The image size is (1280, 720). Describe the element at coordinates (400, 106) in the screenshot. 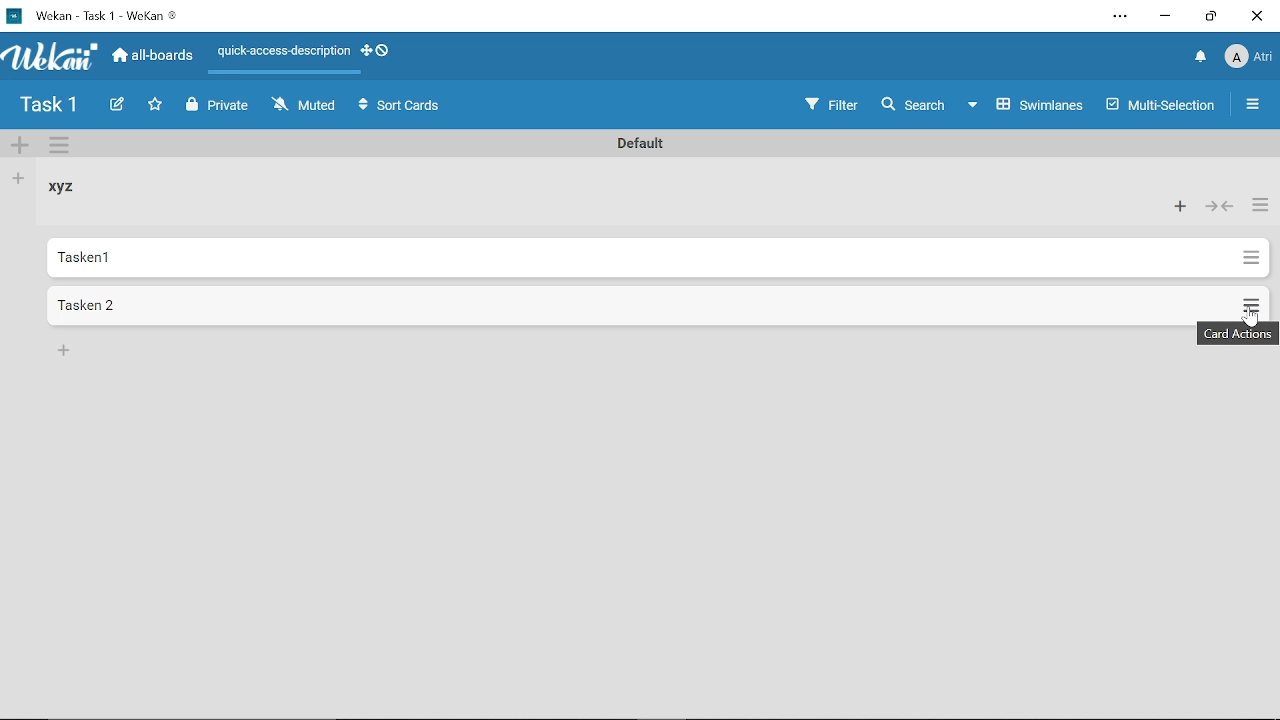

I see `Sort cards` at that location.